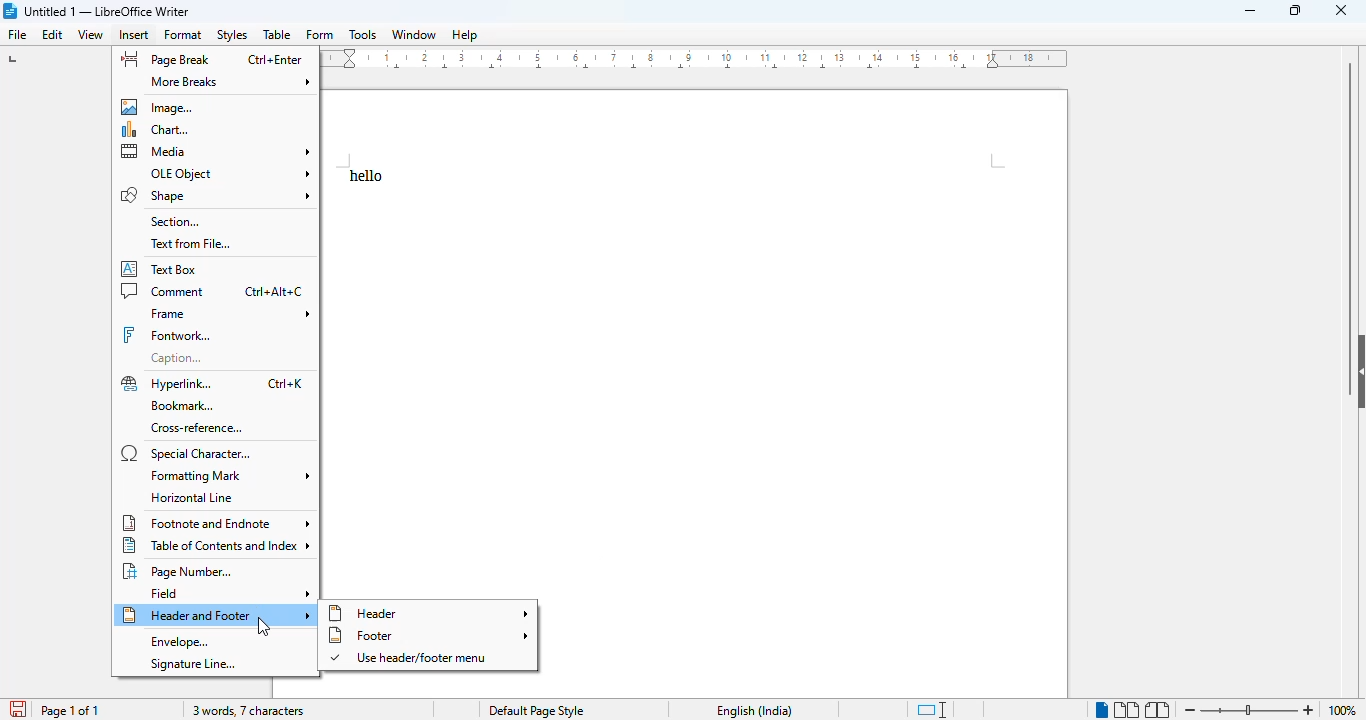 The width and height of the screenshot is (1366, 720). What do you see at coordinates (18, 709) in the screenshot?
I see `click to save document` at bounding box center [18, 709].